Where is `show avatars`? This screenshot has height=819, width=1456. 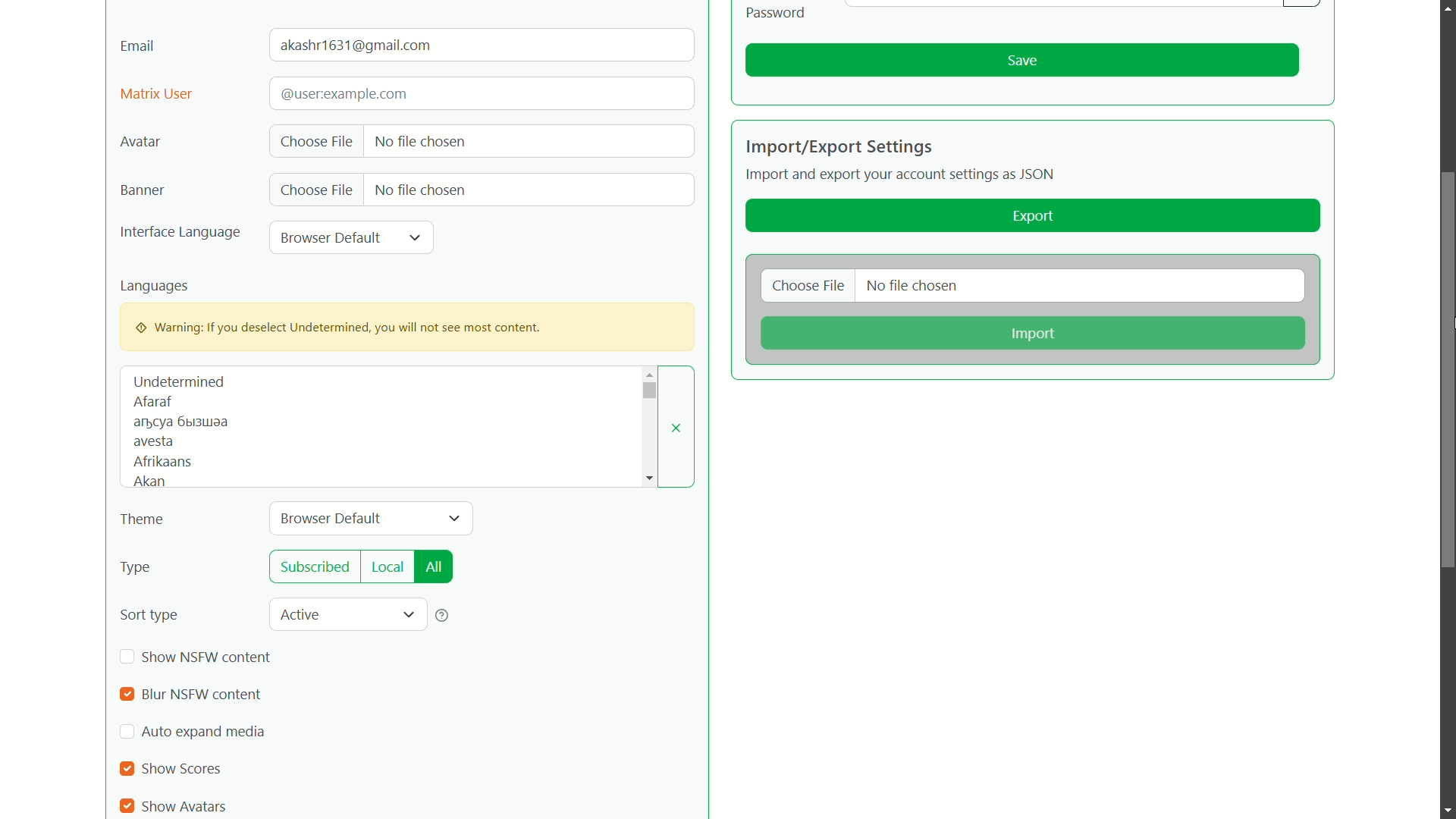 show avatars is located at coordinates (187, 805).